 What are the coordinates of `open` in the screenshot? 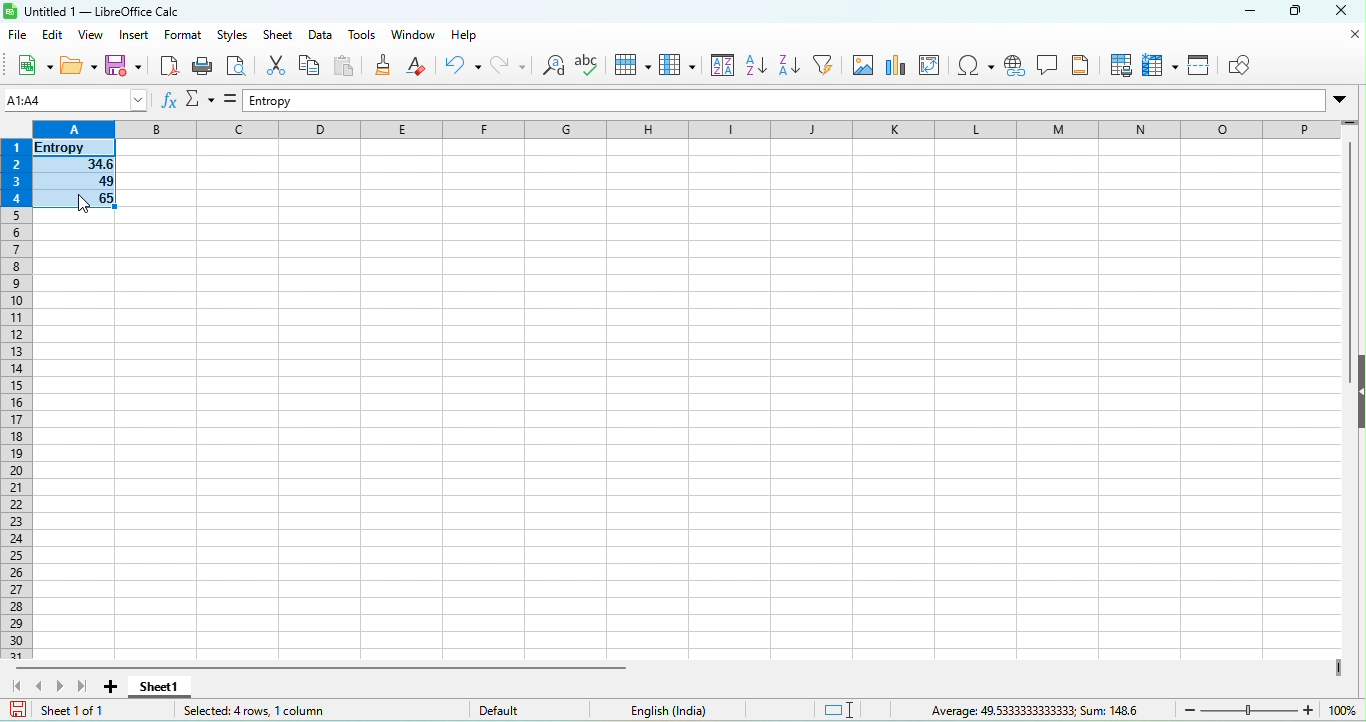 It's located at (78, 67).